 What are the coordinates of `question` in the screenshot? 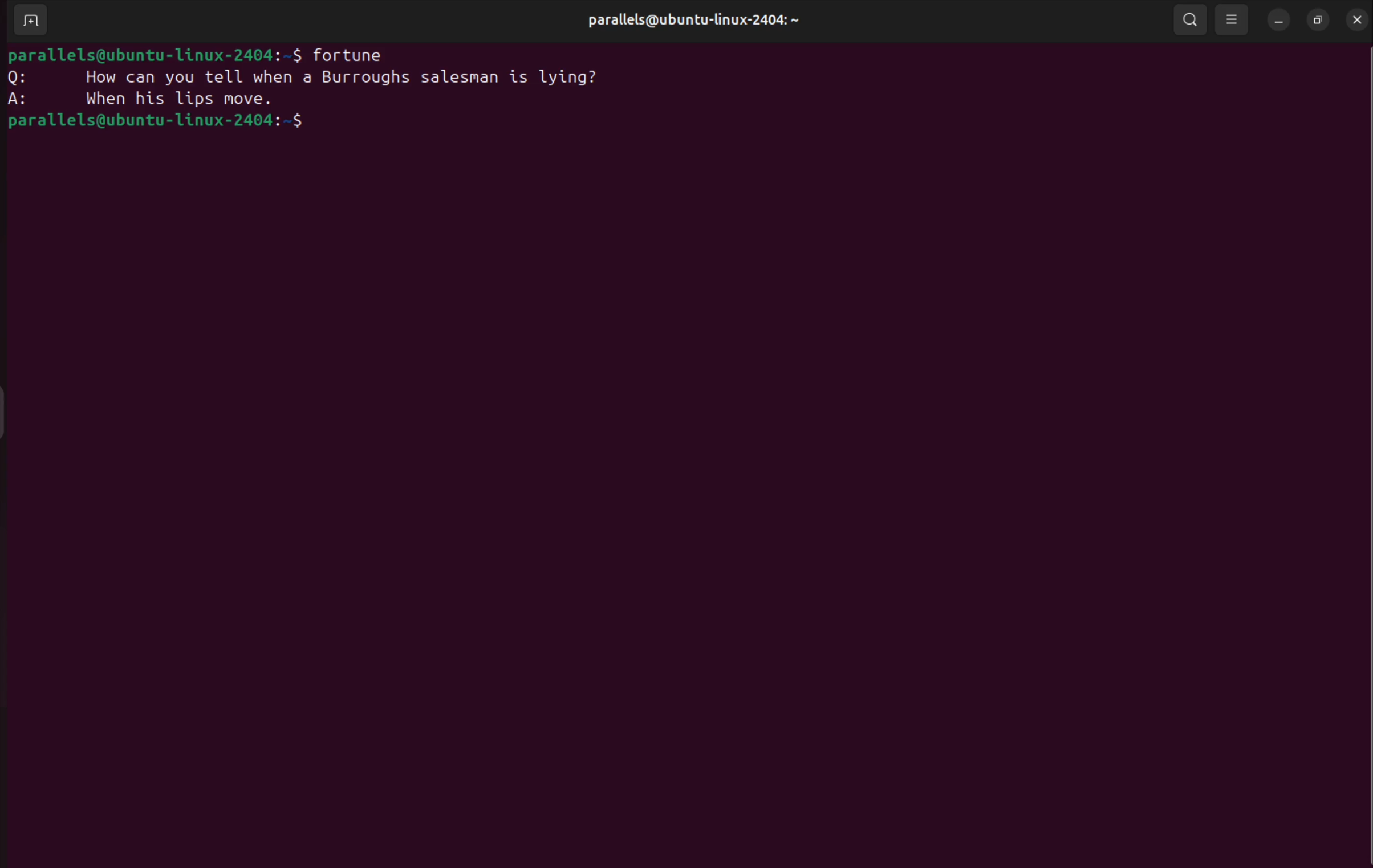 It's located at (18, 76).